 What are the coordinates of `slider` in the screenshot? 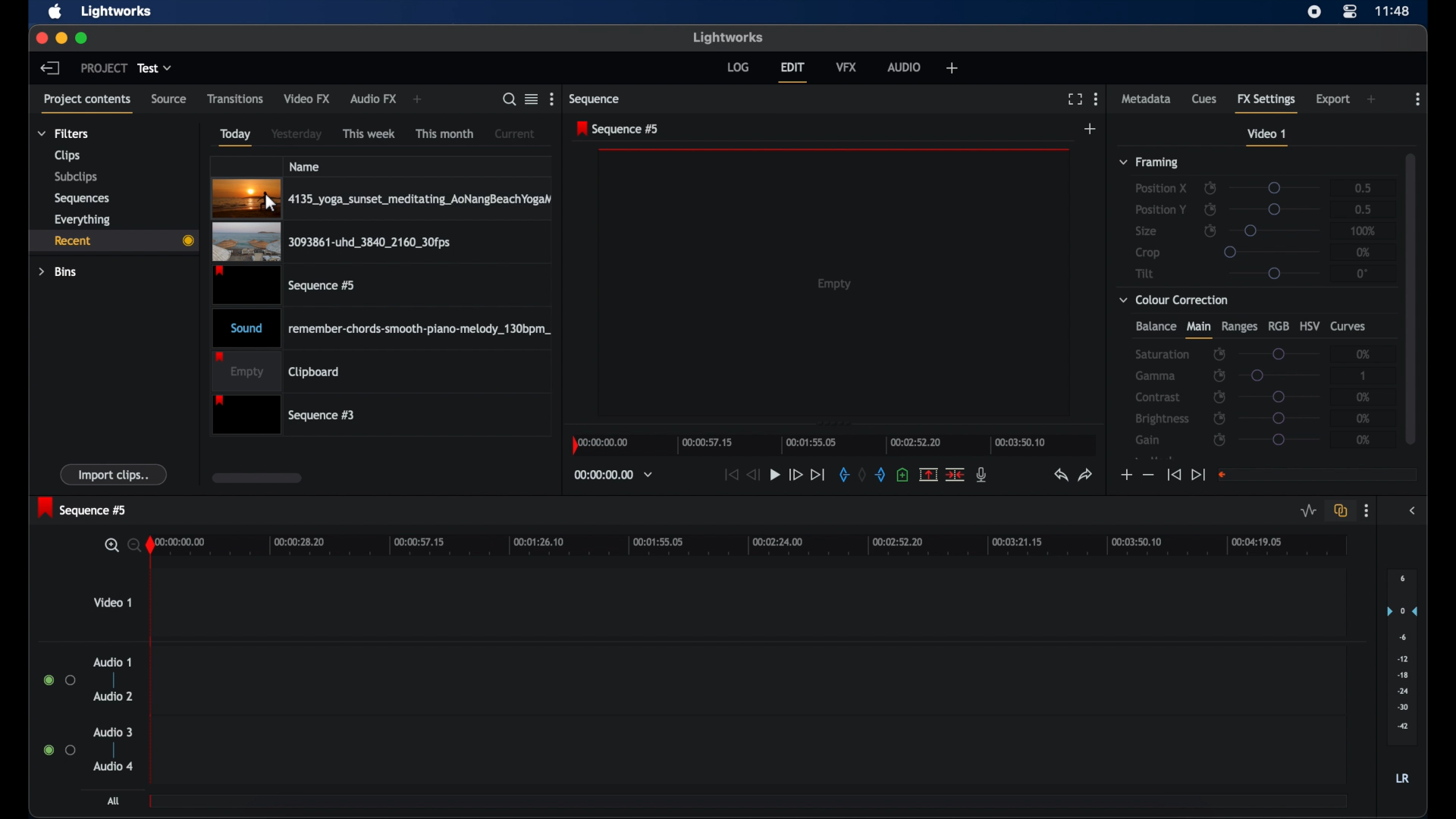 It's located at (1284, 375).